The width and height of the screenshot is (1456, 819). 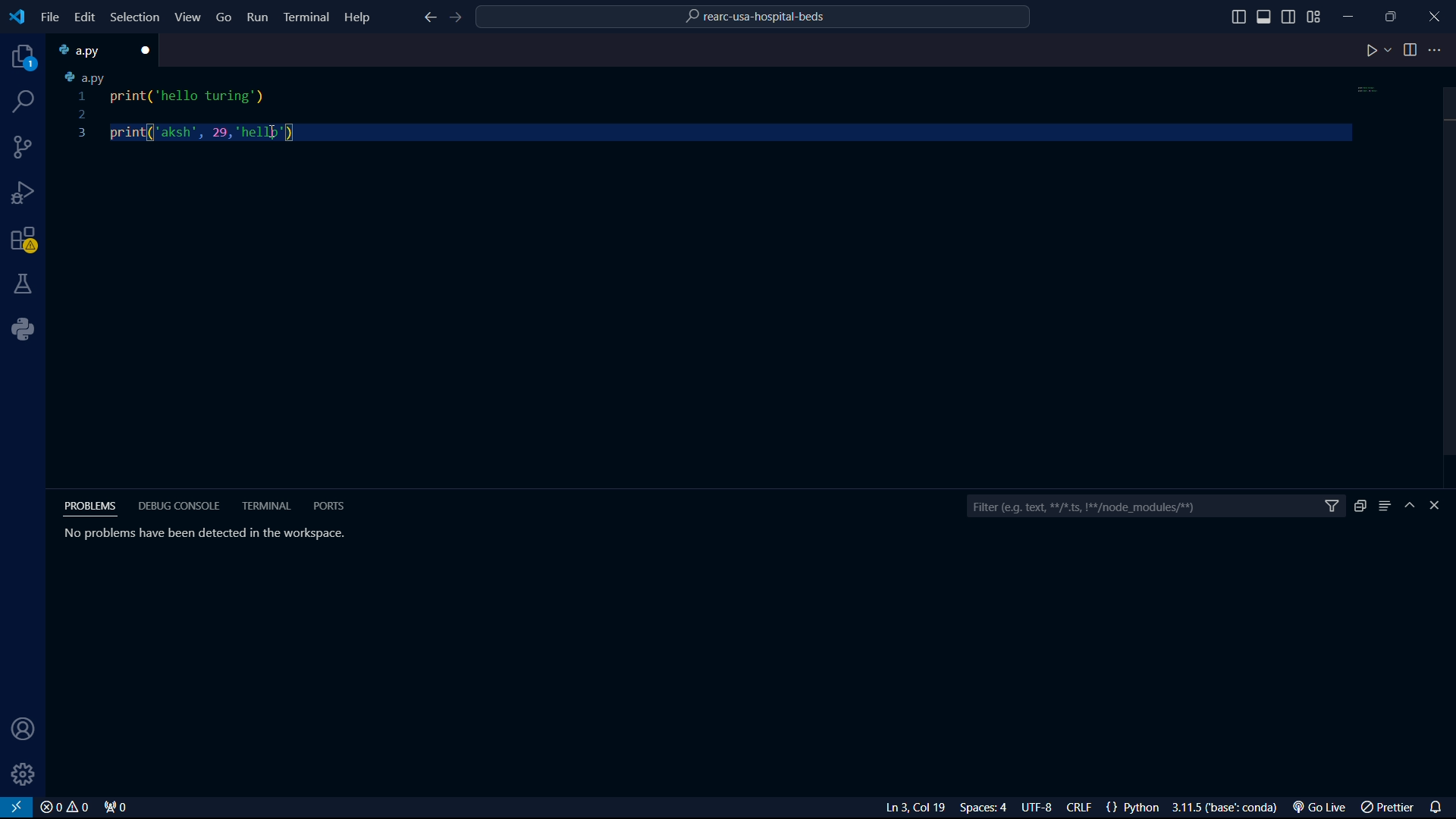 What do you see at coordinates (24, 147) in the screenshot?
I see `connections` at bounding box center [24, 147].